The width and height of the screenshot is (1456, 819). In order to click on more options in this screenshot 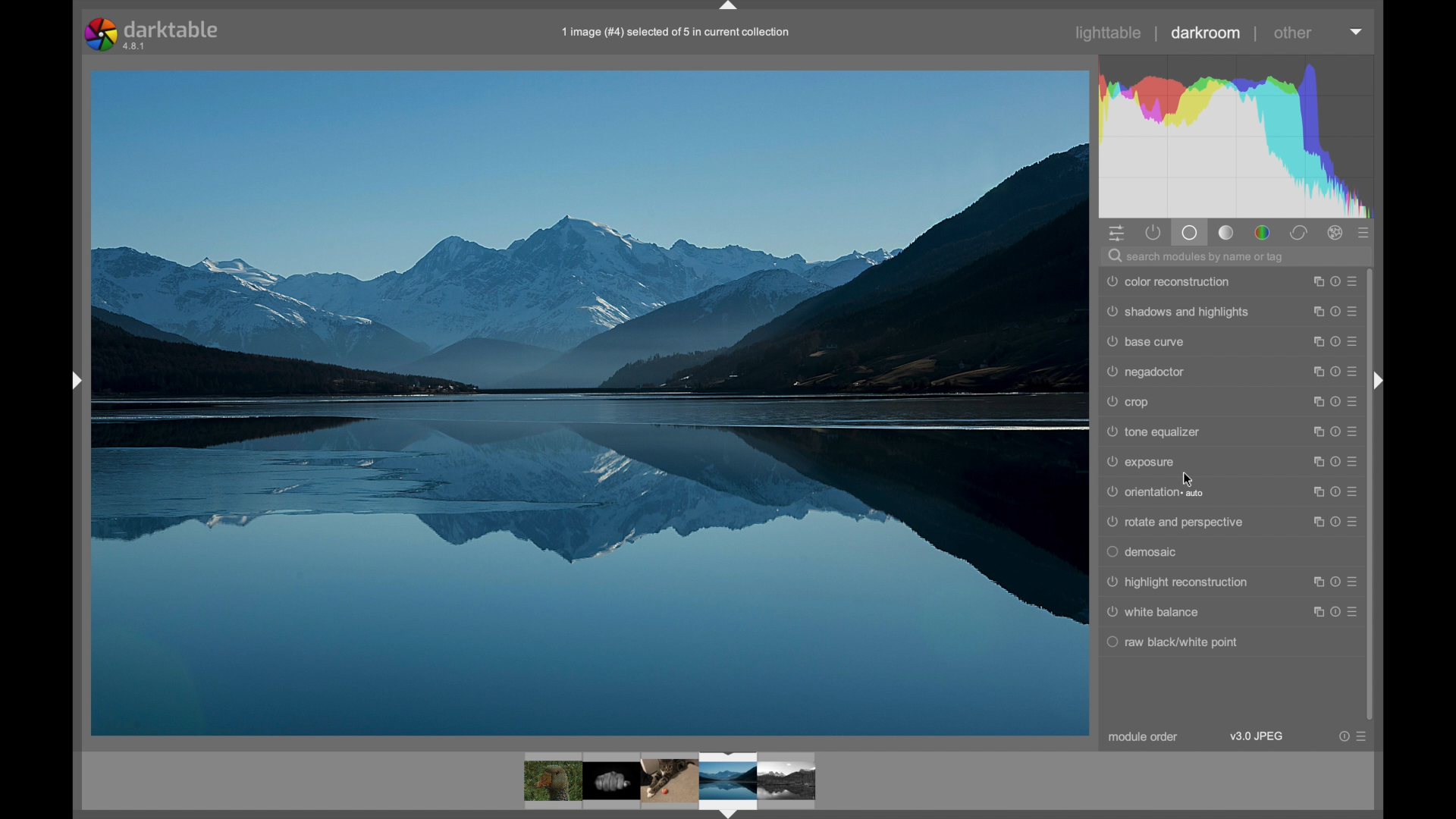, I will do `click(1354, 736)`.